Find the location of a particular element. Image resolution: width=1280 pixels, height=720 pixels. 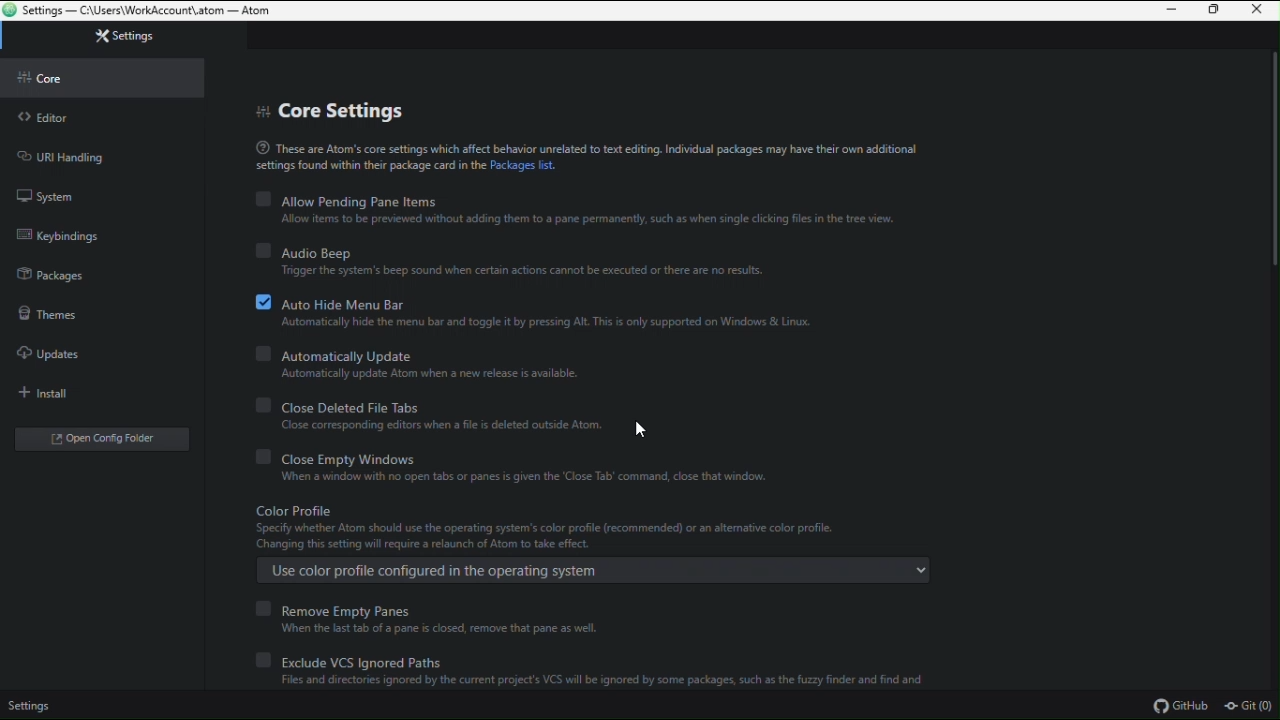

allow pending pane items is located at coordinates (589, 201).